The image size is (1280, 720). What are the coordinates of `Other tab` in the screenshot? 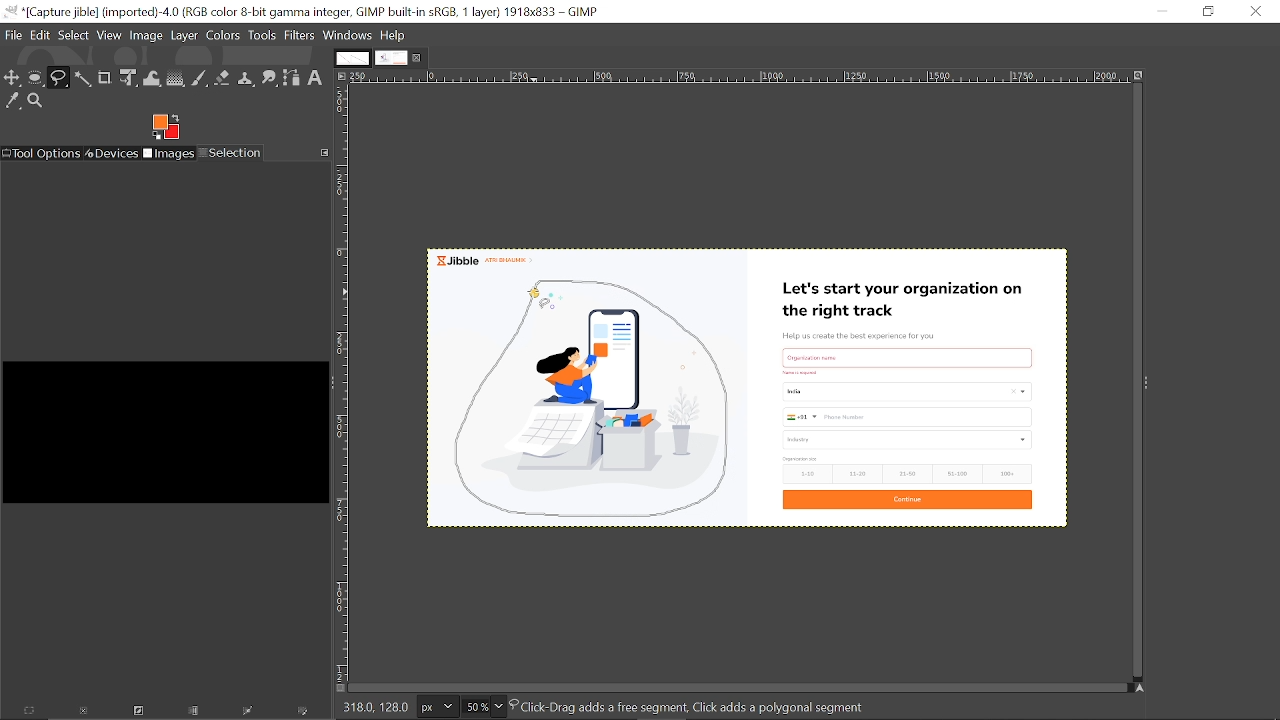 It's located at (351, 58).